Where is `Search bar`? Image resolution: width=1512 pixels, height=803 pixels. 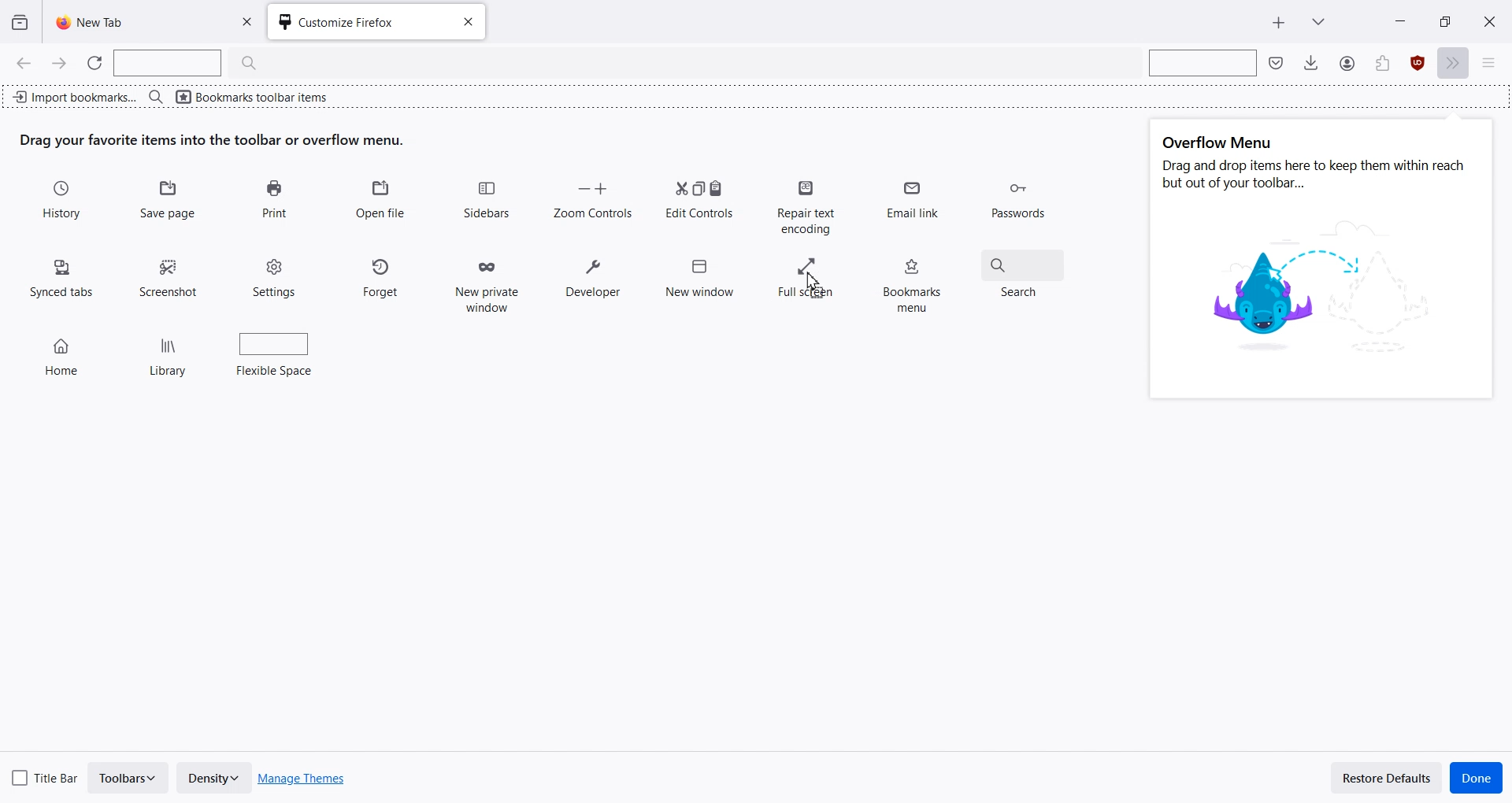
Search bar is located at coordinates (1200, 62).